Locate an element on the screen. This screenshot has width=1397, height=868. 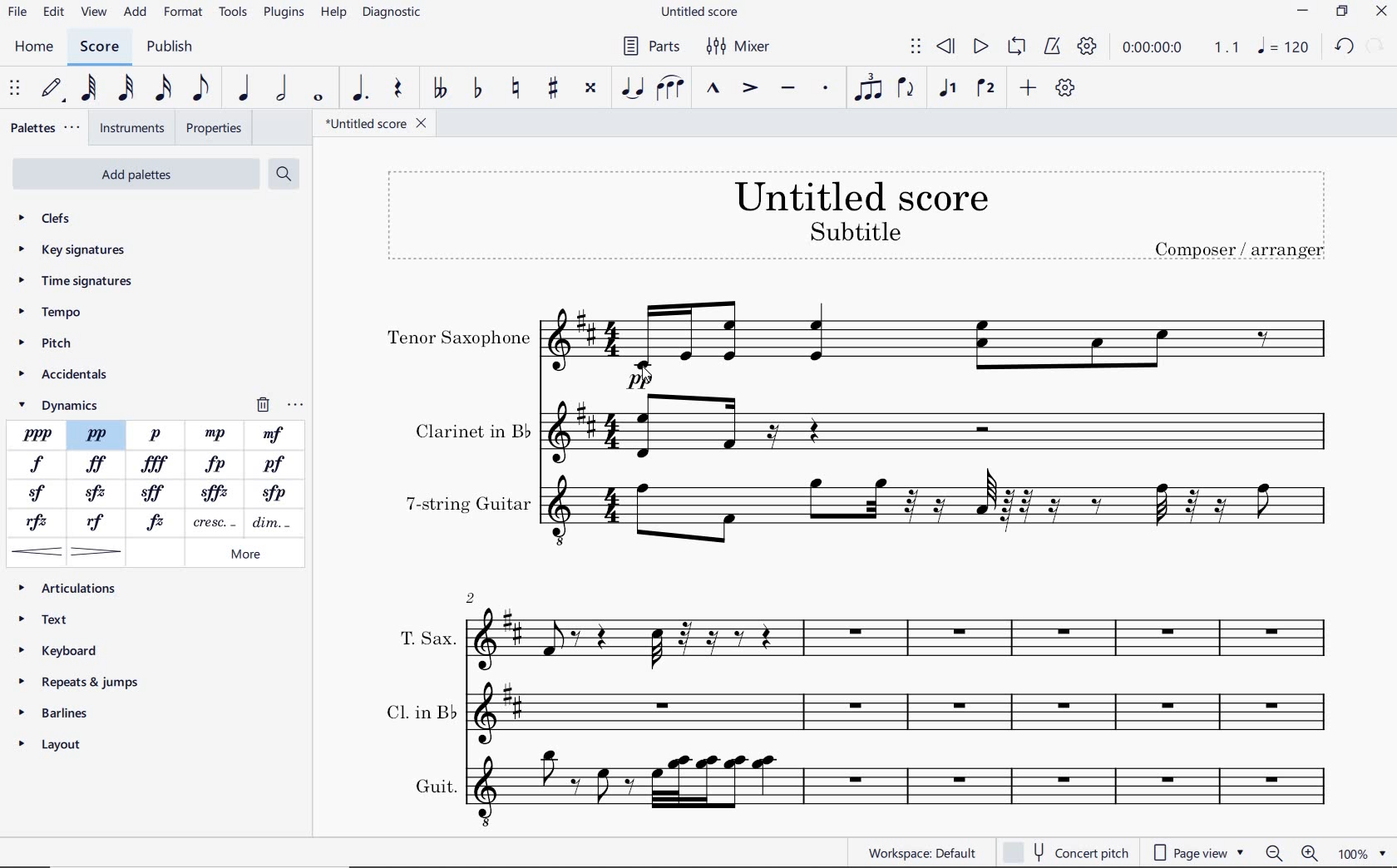
DIAGNOSTIC is located at coordinates (392, 13).